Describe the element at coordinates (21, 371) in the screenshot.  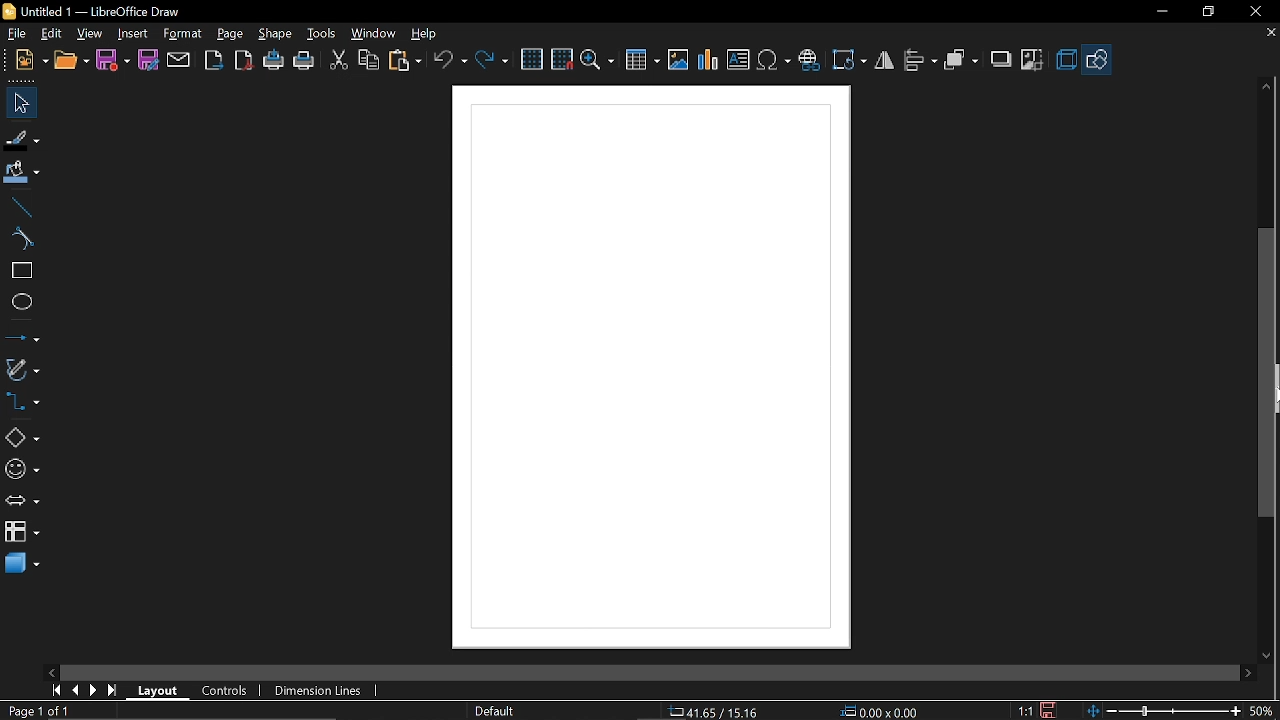
I see `curves and polygons` at that location.